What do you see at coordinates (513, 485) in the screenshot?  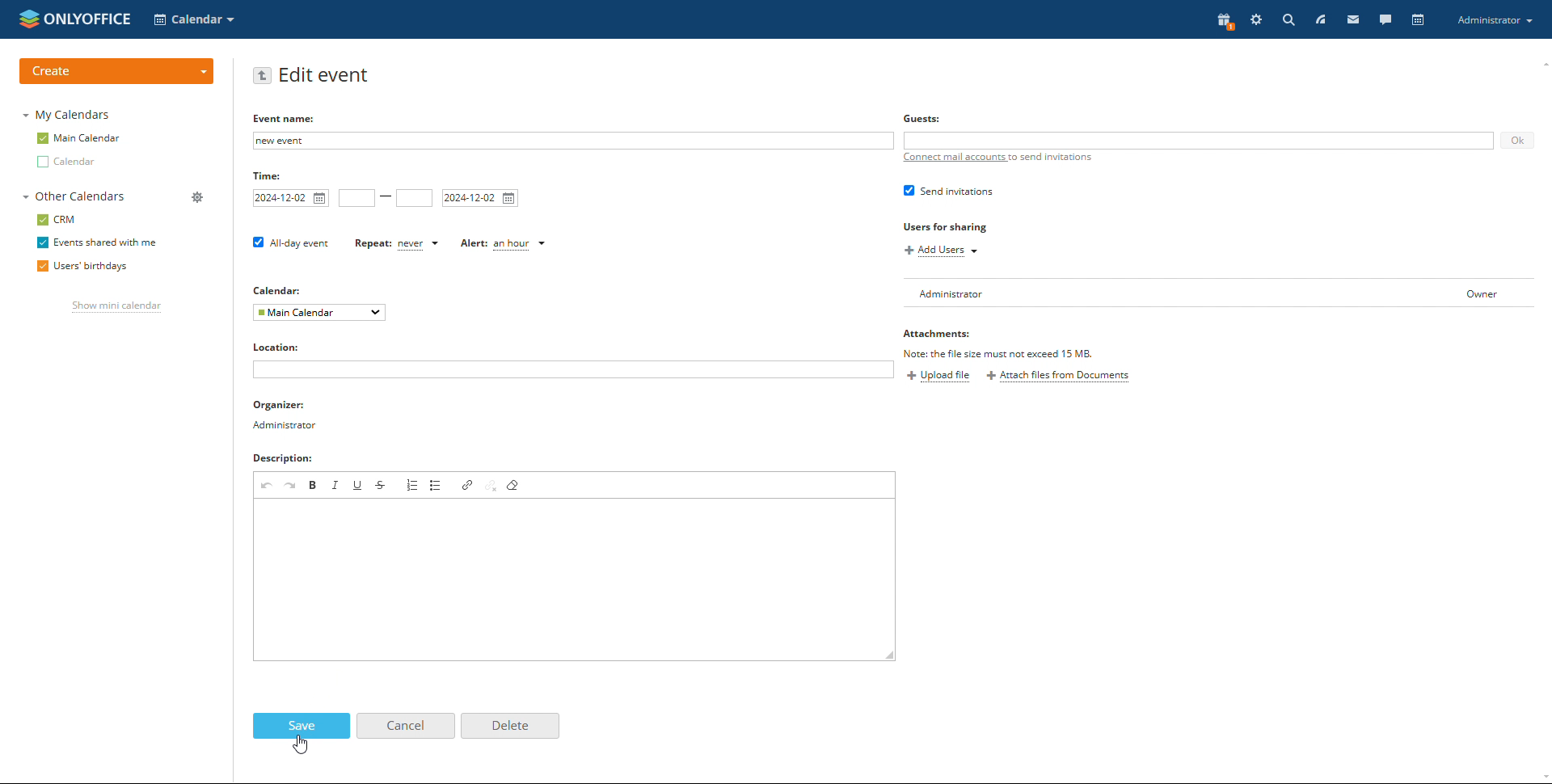 I see `remove format` at bounding box center [513, 485].